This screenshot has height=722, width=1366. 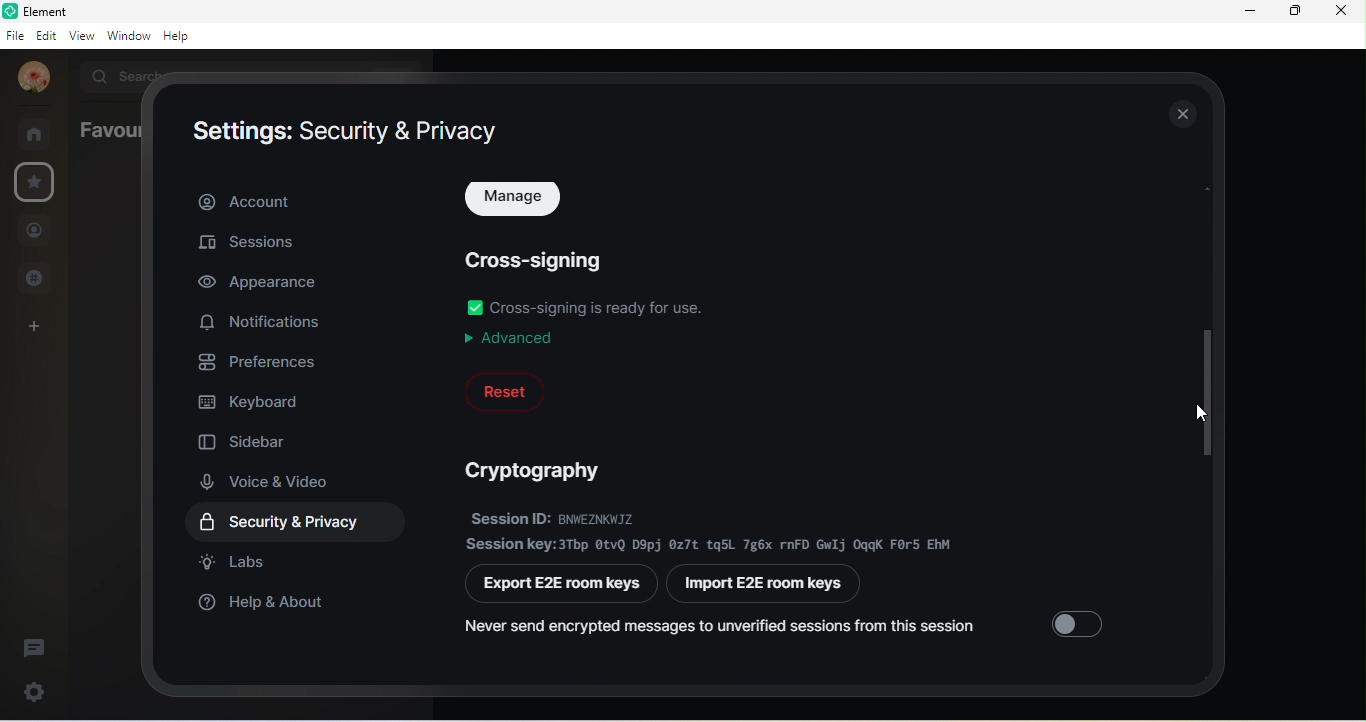 I want to click on export e2e room keys, so click(x=563, y=585).